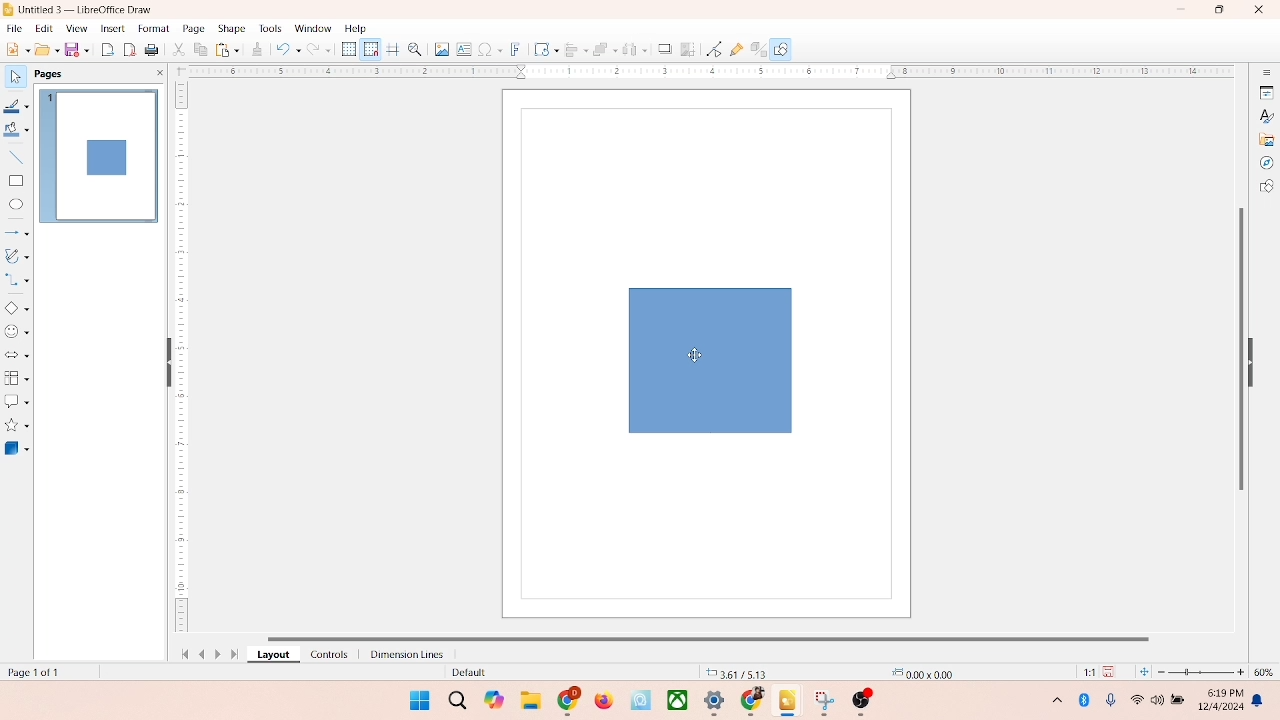  Describe the element at coordinates (17, 332) in the screenshot. I see `symbol shapes` at that location.